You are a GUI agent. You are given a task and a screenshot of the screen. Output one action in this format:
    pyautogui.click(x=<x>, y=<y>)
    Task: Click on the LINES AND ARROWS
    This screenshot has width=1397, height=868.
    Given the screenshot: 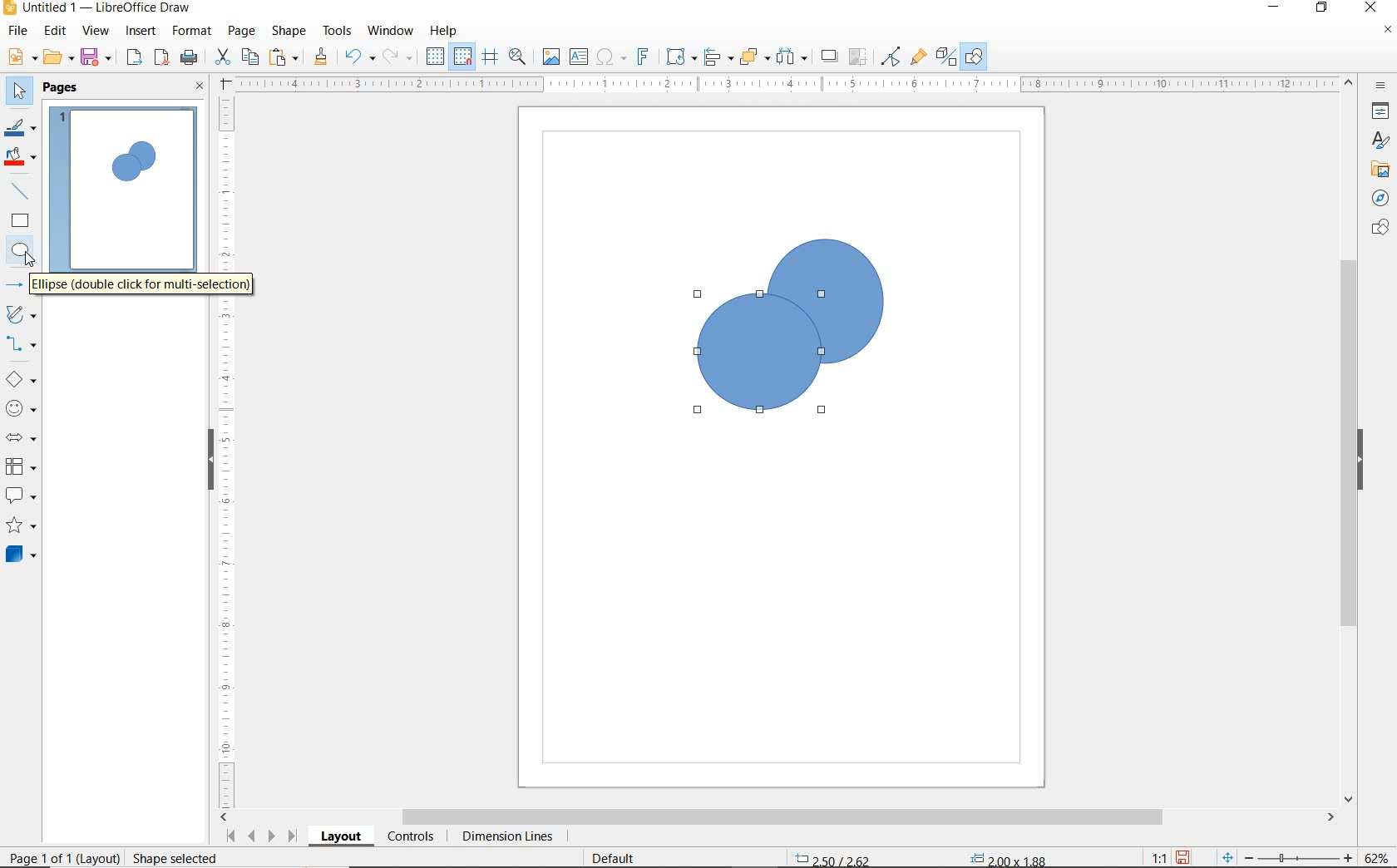 What is the action you would take?
    pyautogui.click(x=22, y=287)
    